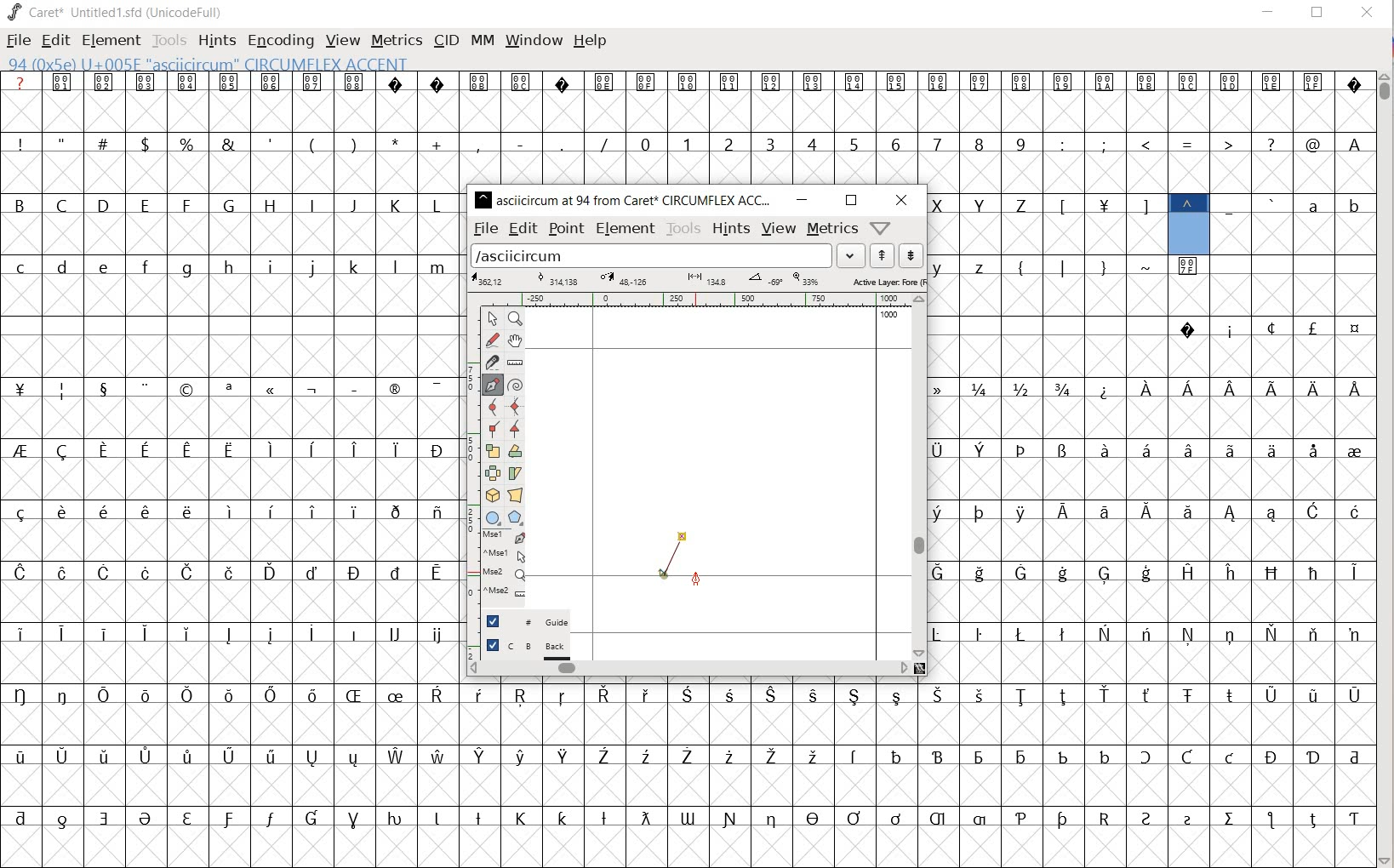  What do you see at coordinates (518, 319) in the screenshot?
I see `MAGNIFY` at bounding box center [518, 319].